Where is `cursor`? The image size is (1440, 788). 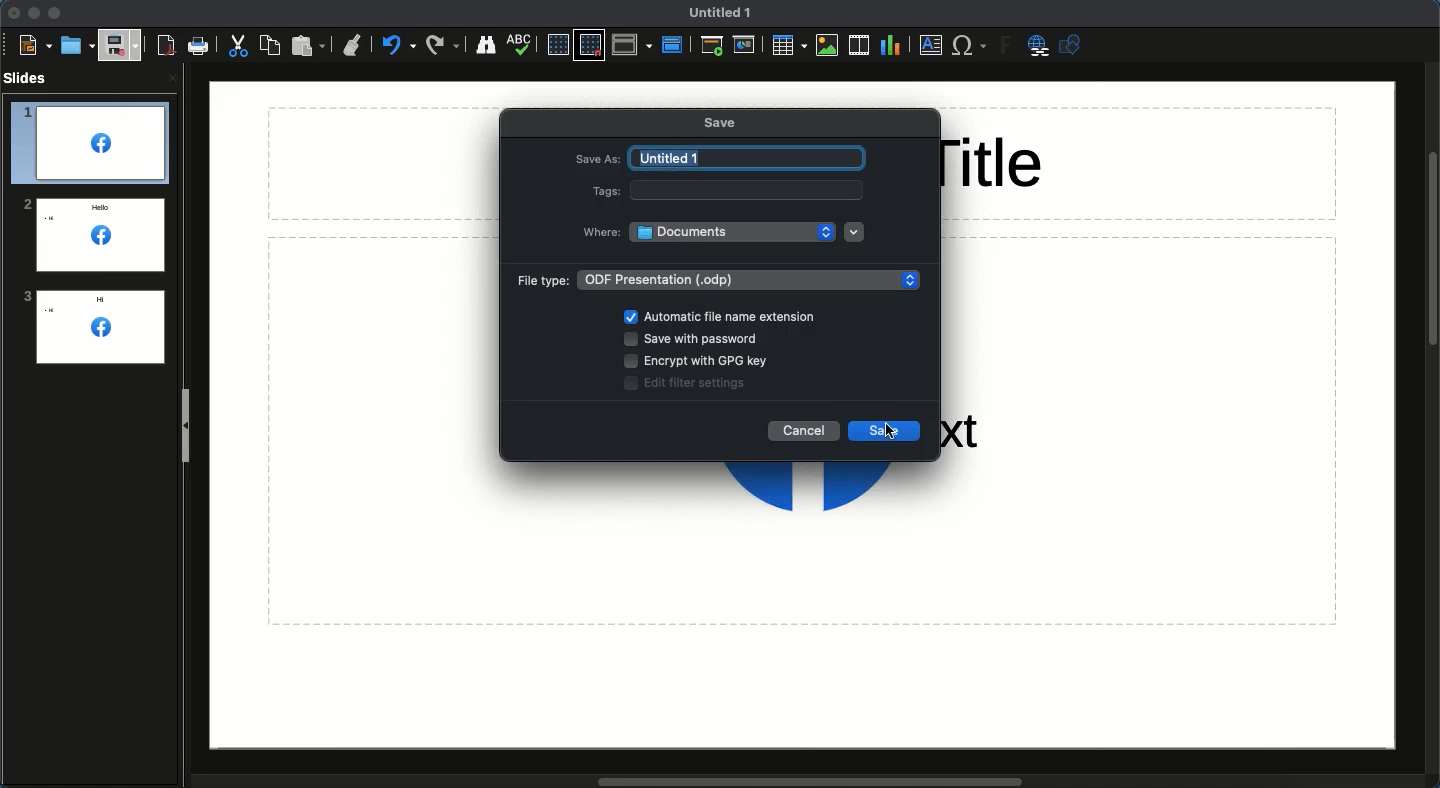 cursor is located at coordinates (886, 432).